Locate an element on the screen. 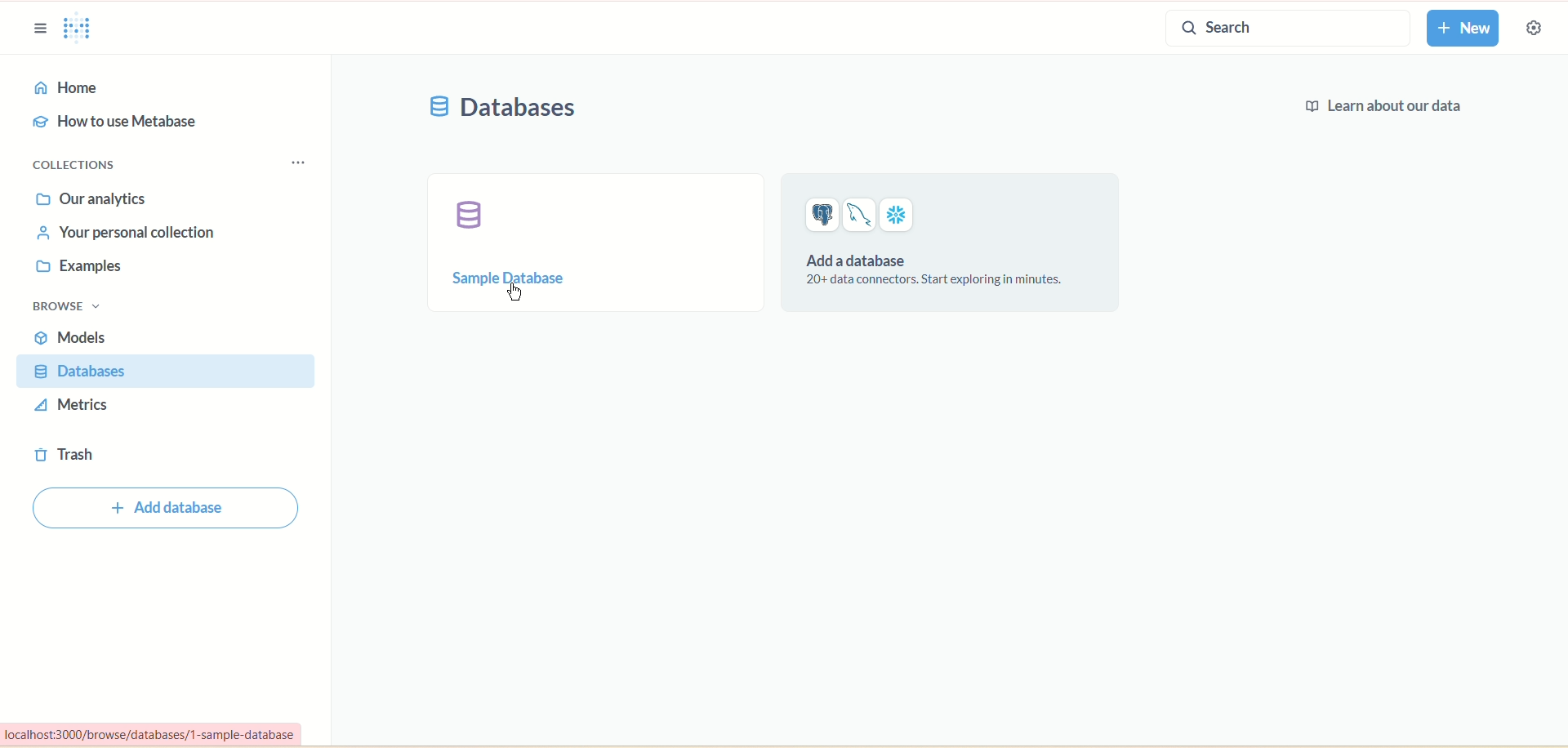 Image resolution: width=1568 pixels, height=748 pixels. new is located at coordinates (1463, 29).